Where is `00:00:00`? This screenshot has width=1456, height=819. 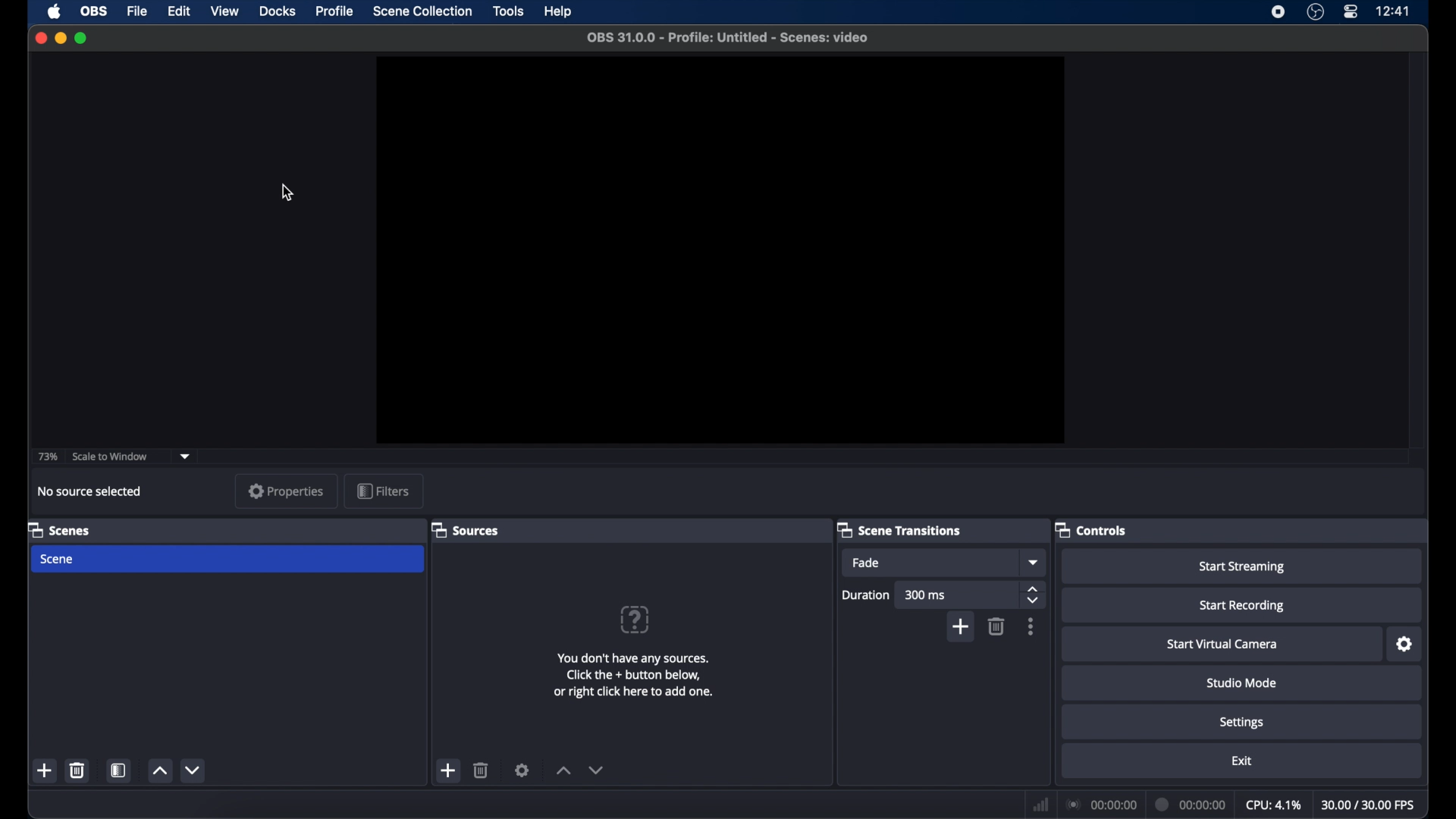 00:00:00 is located at coordinates (1188, 804).